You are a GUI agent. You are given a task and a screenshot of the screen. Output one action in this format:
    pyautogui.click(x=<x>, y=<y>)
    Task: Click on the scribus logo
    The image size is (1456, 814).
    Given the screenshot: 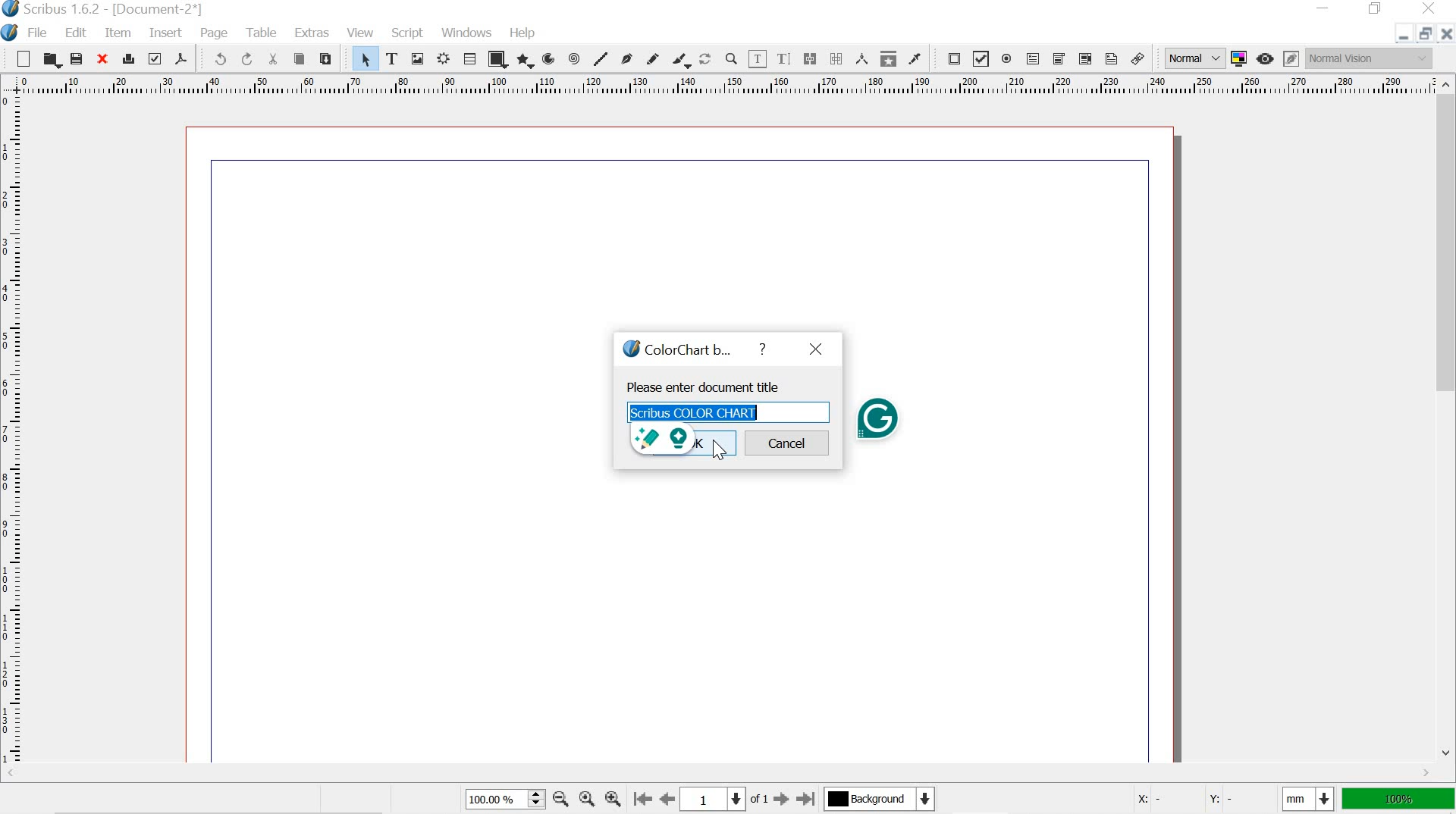 What is the action you would take?
    pyautogui.click(x=11, y=10)
    